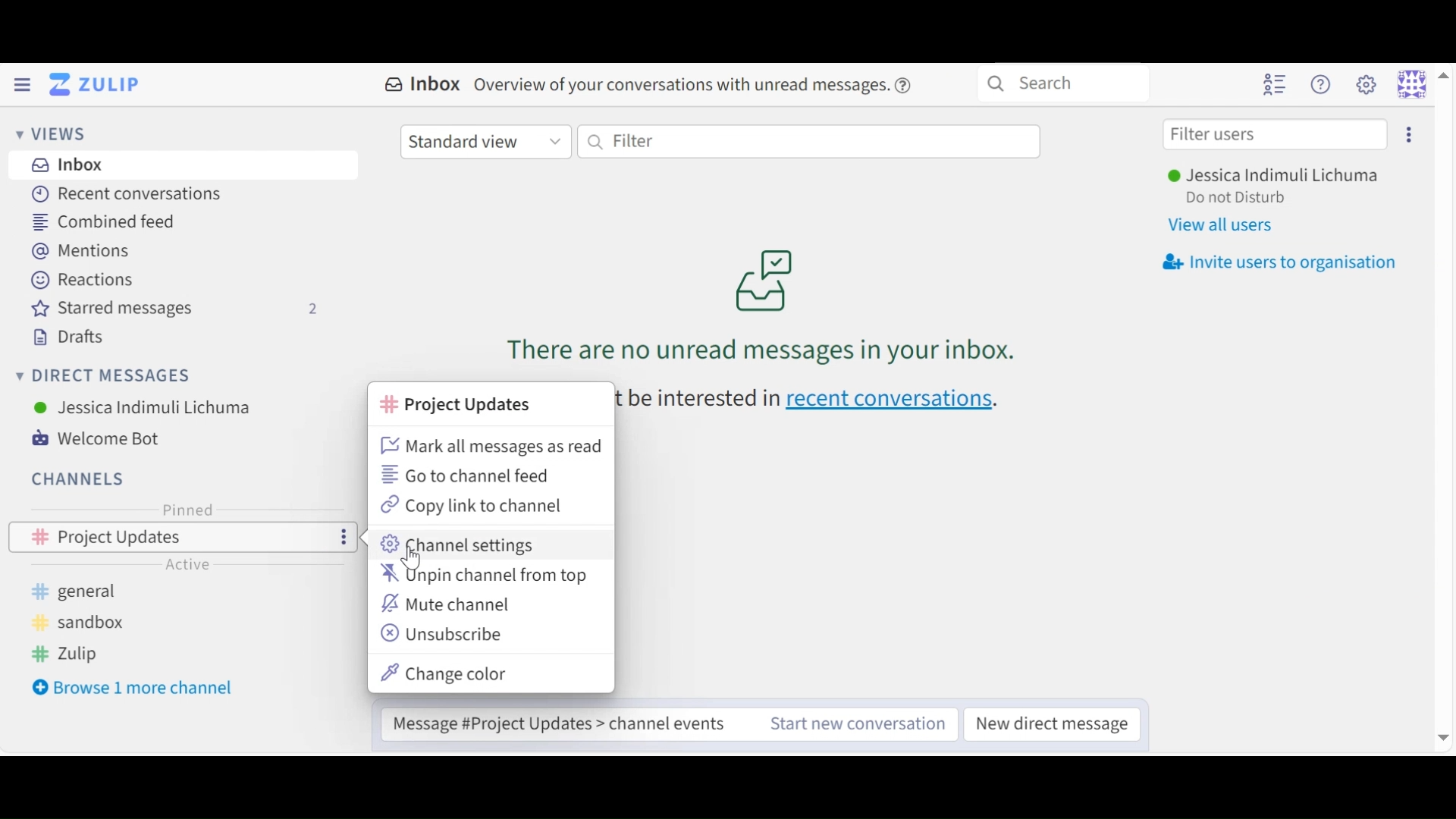  What do you see at coordinates (471, 475) in the screenshot?
I see `Go to channel feed` at bounding box center [471, 475].